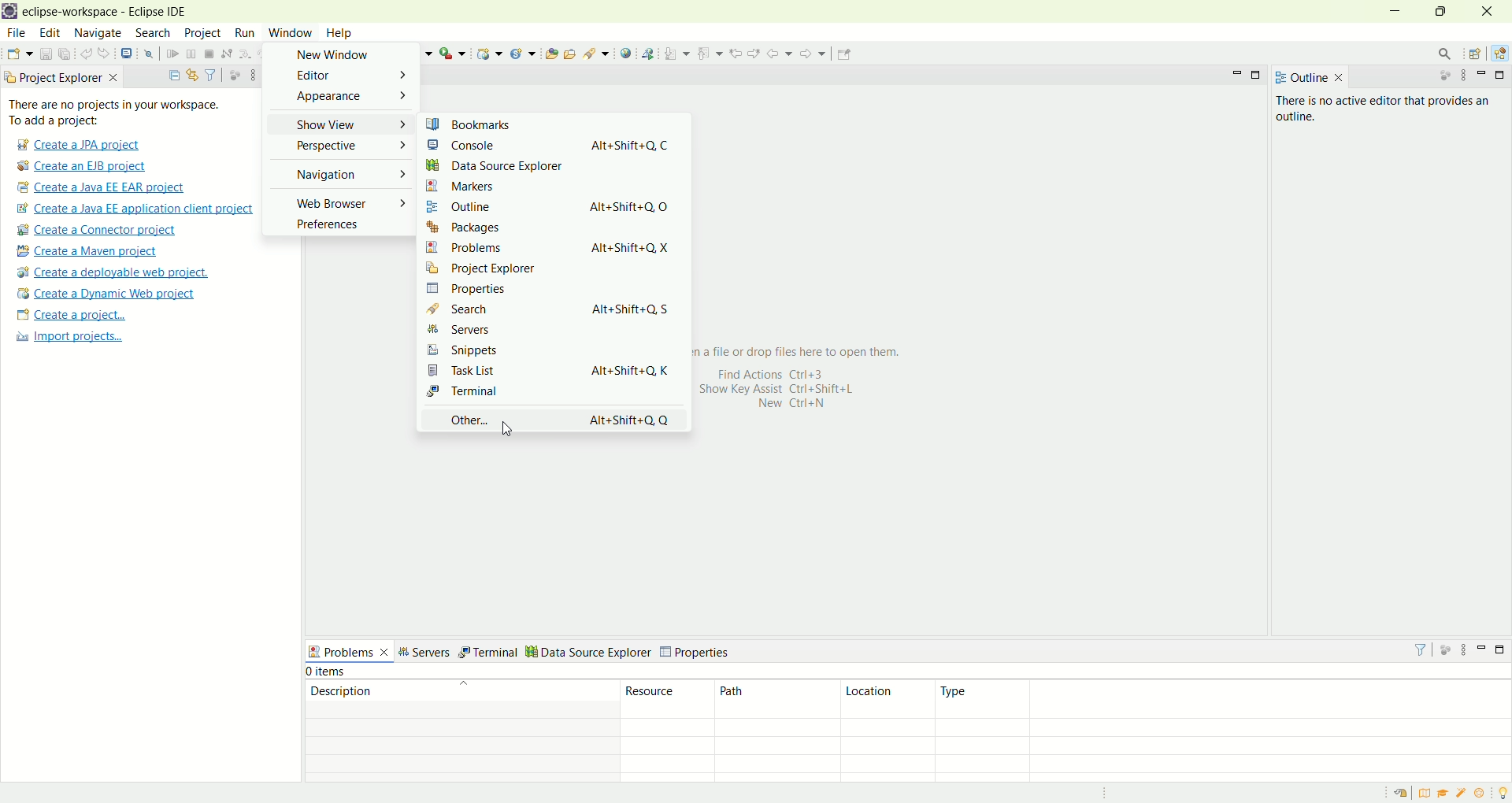 The width and height of the screenshot is (1512, 803). I want to click on create a dynamic web project, so click(106, 294).